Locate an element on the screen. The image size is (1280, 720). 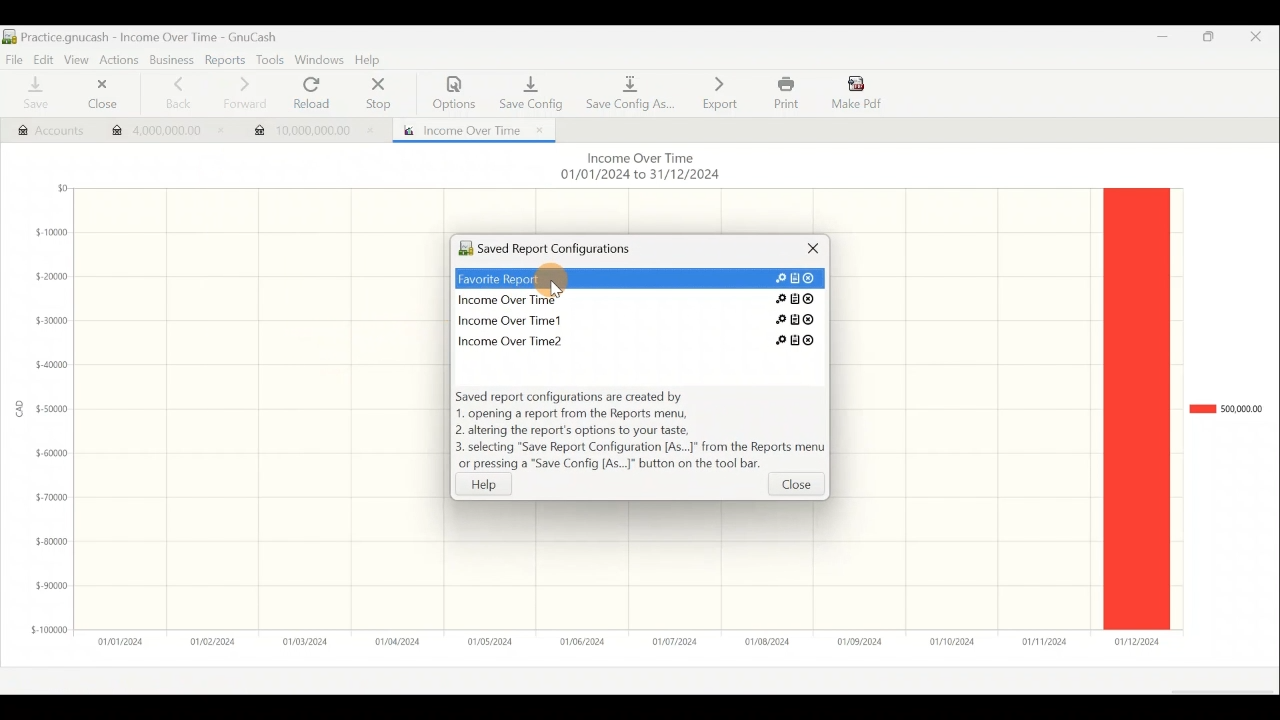
Print is located at coordinates (784, 93).